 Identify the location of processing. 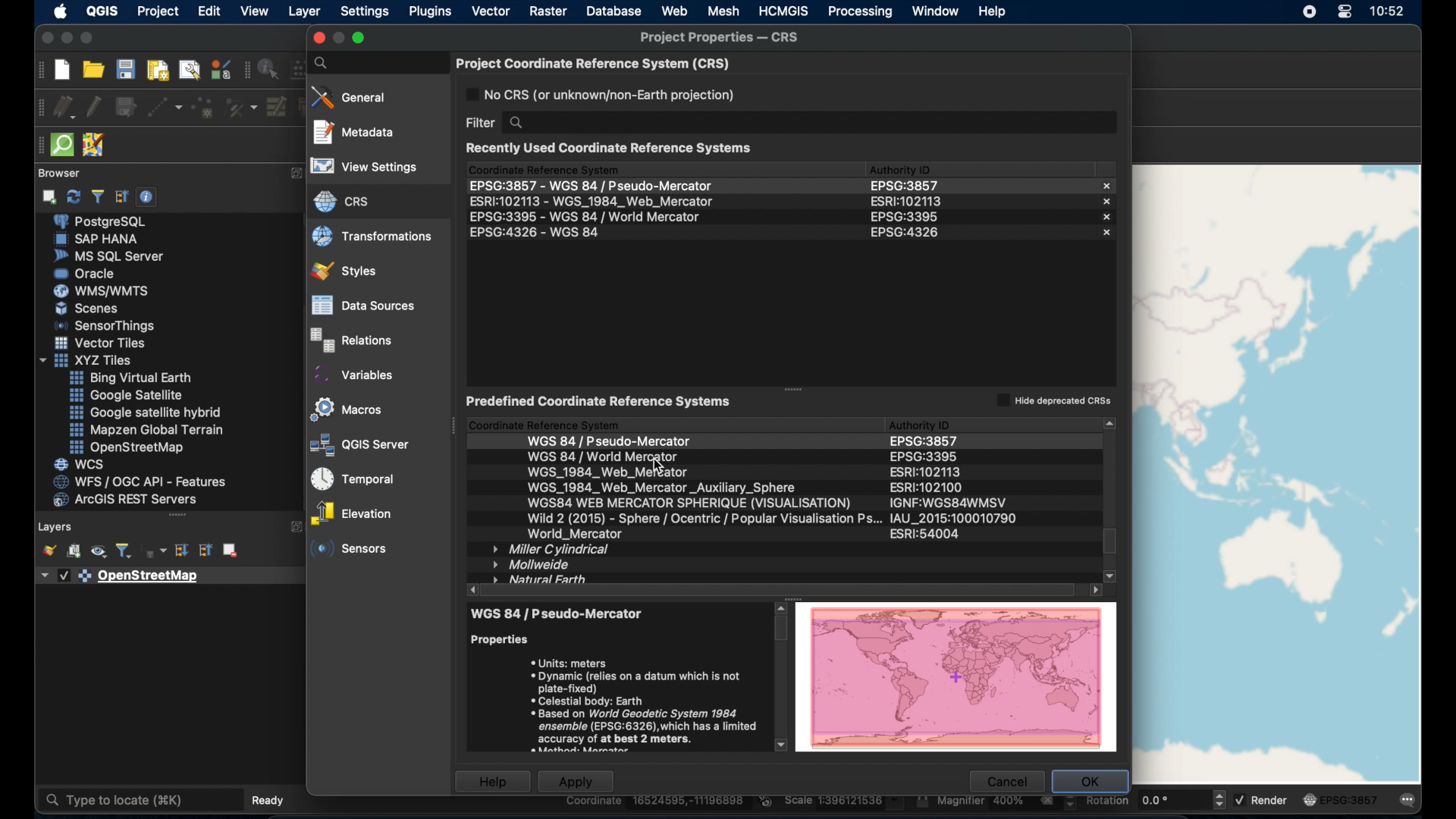
(862, 12).